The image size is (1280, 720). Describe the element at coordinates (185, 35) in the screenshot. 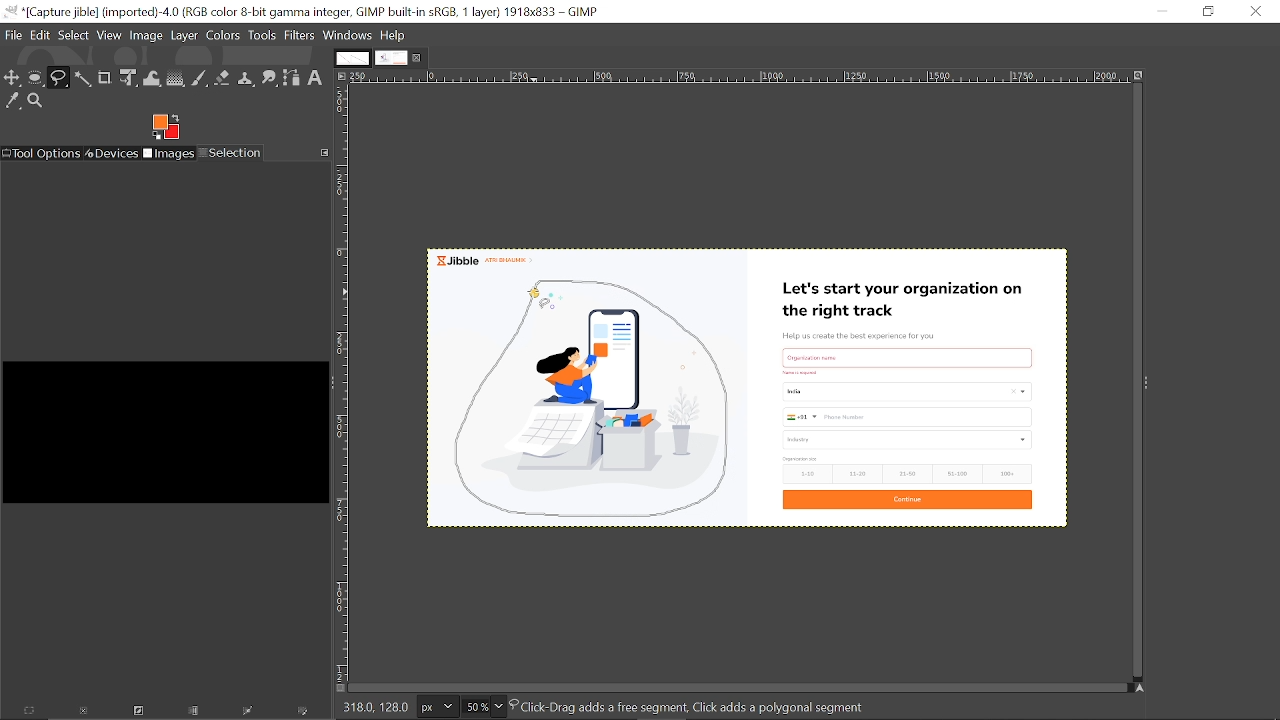

I see `Layer` at that location.